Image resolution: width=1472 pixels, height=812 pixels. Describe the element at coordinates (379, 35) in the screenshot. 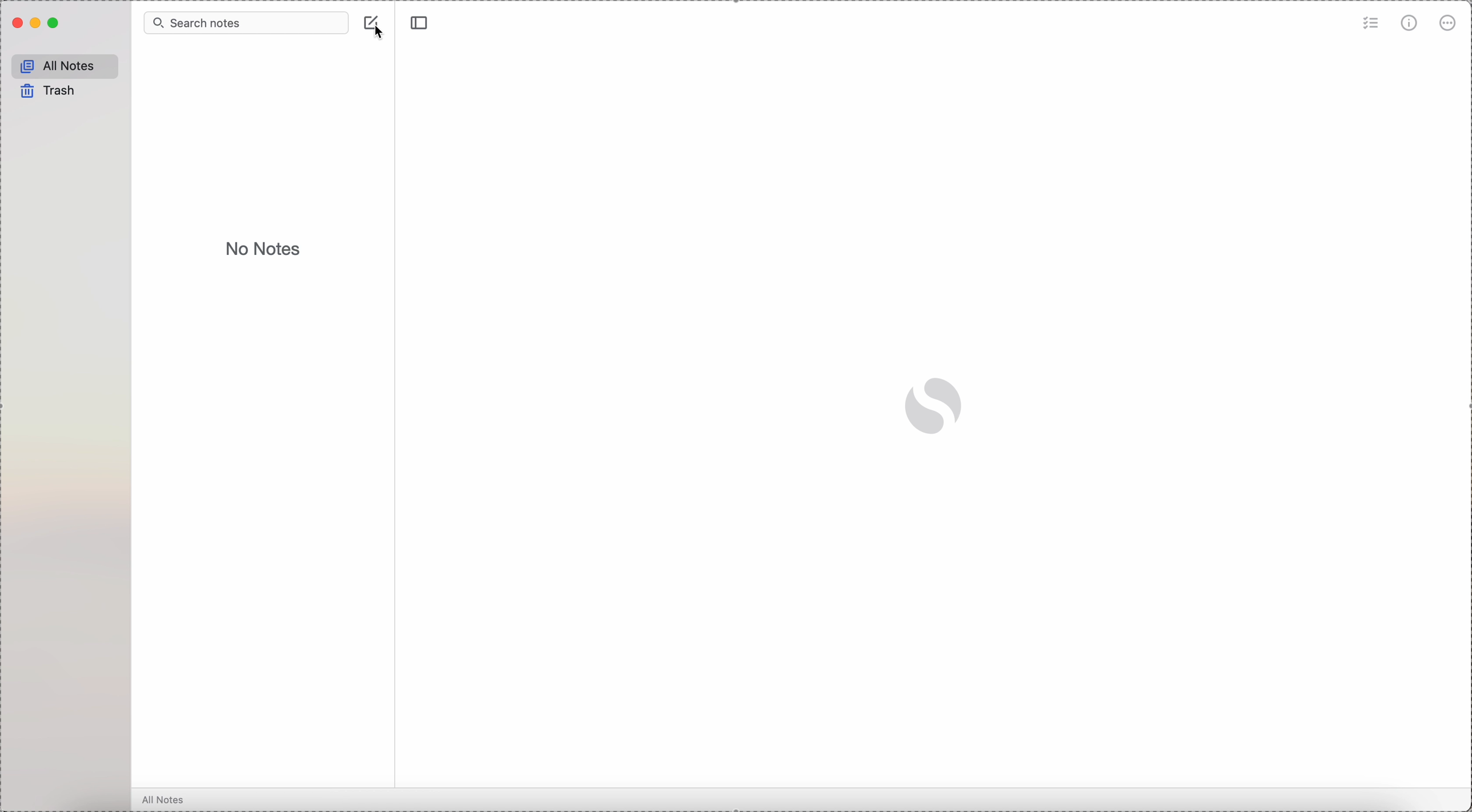

I see `cursor` at that location.